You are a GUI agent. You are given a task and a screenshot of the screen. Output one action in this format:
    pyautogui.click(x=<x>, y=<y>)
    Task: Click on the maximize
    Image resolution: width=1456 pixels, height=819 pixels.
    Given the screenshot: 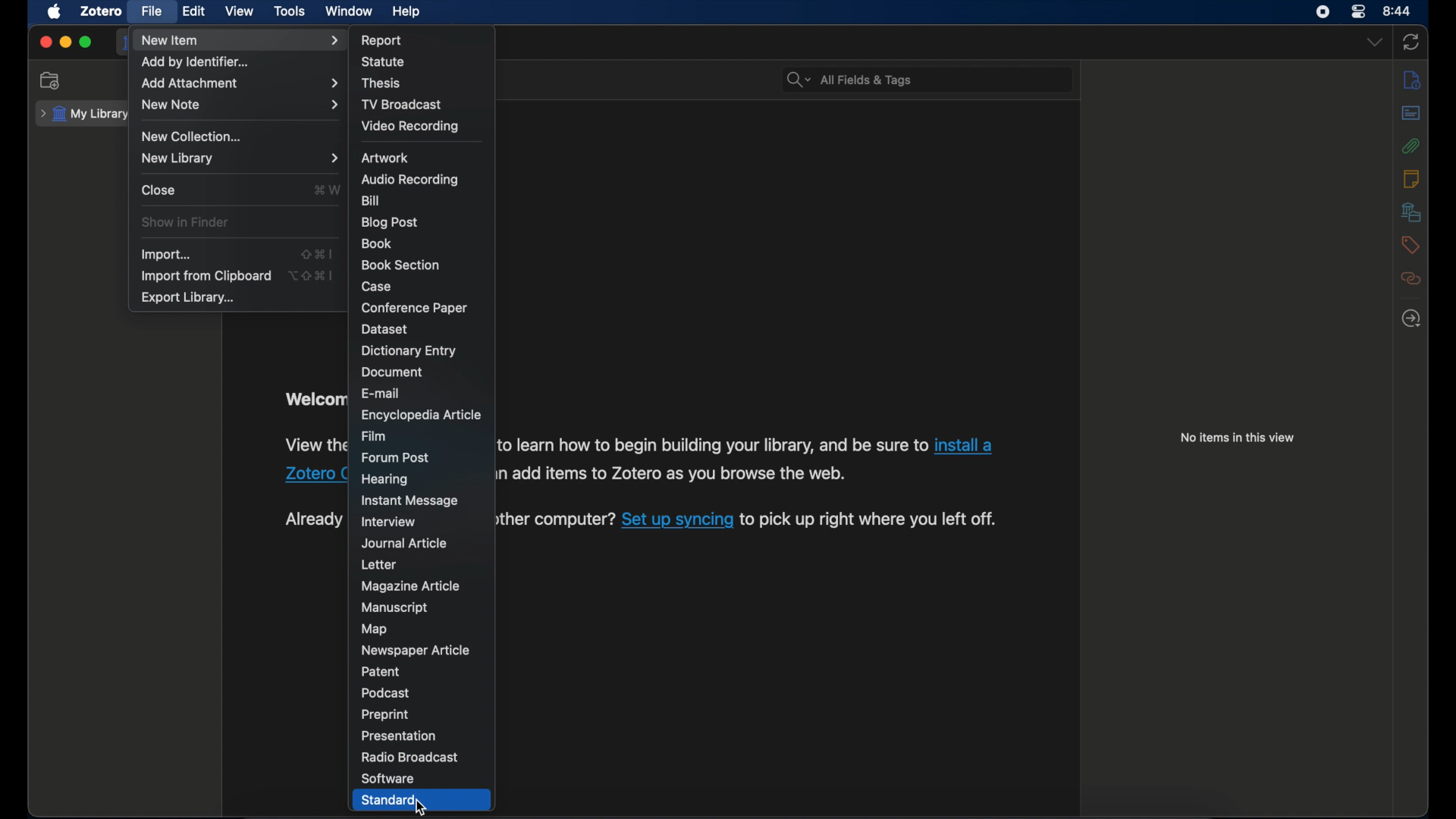 What is the action you would take?
    pyautogui.click(x=86, y=43)
    